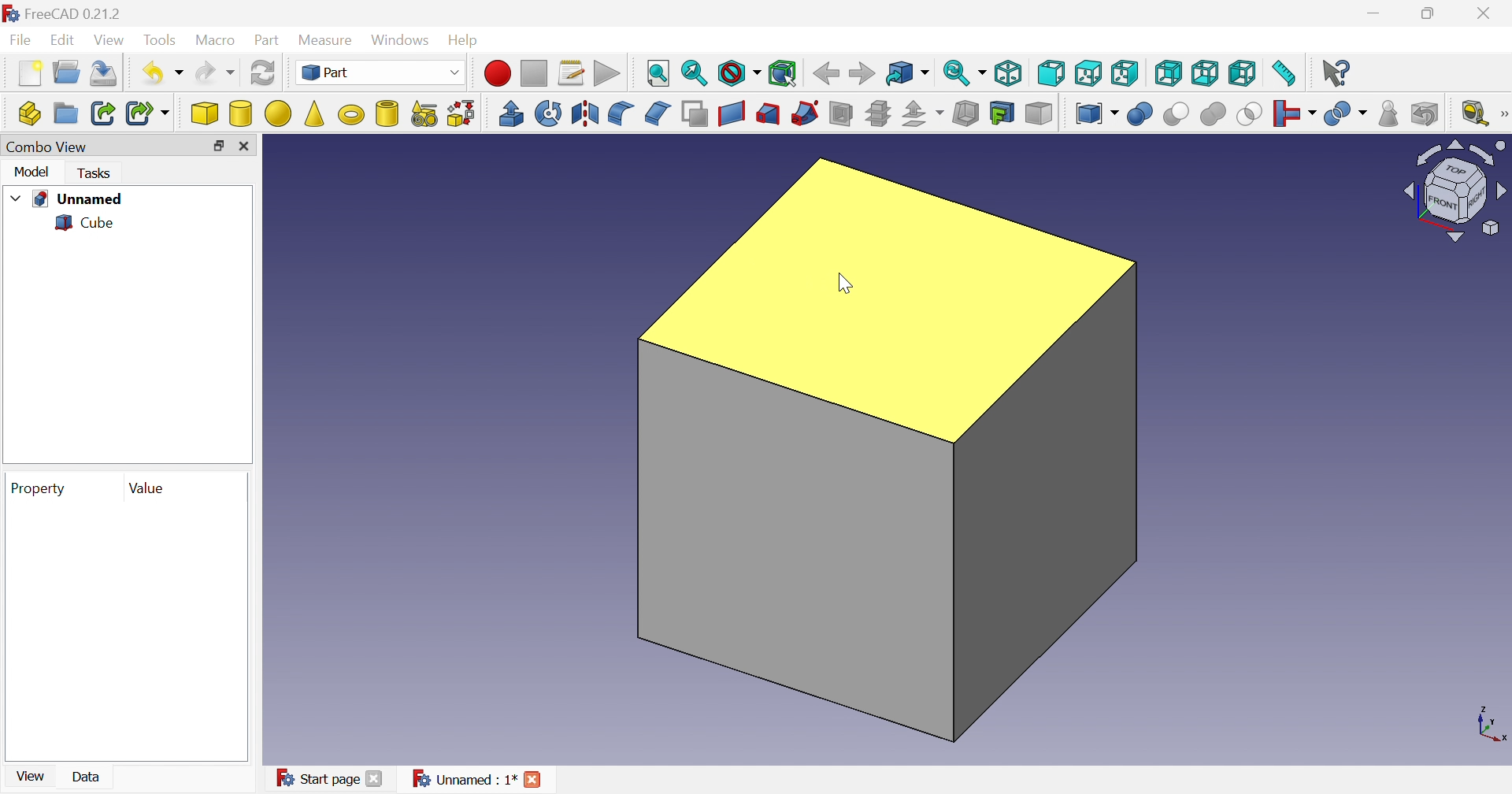 Image resolution: width=1512 pixels, height=794 pixels. What do you see at coordinates (111, 40) in the screenshot?
I see `View` at bounding box center [111, 40].